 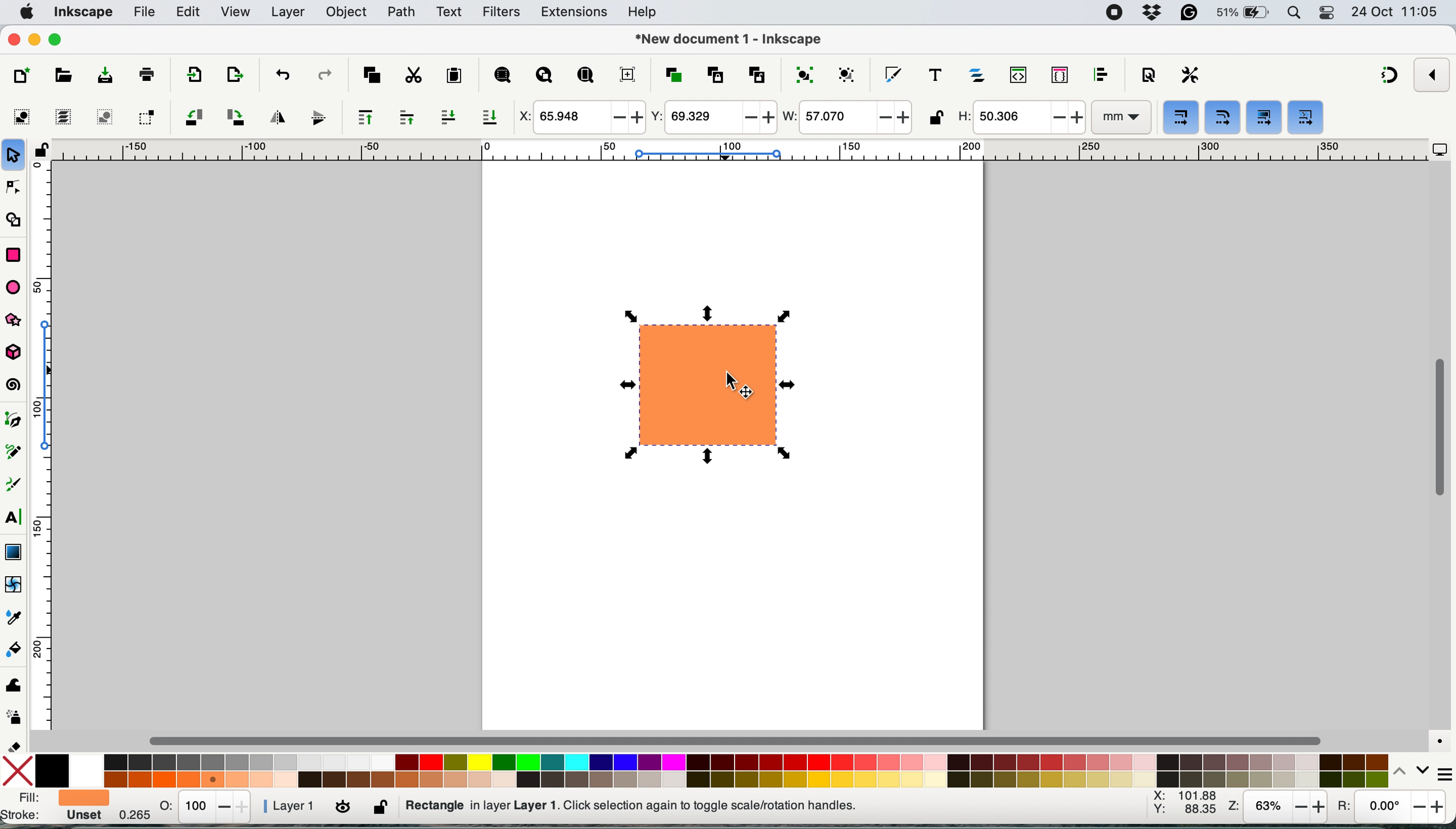 I want to click on layers and objects, so click(x=979, y=75).